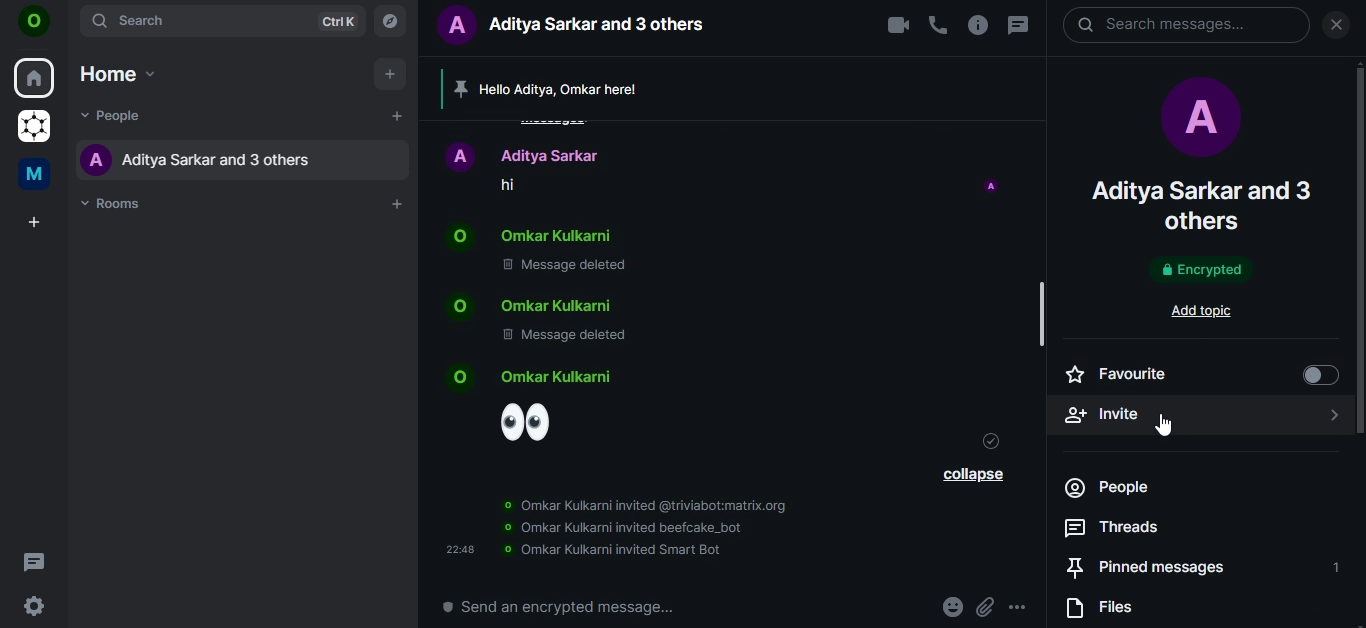  Describe the element at coordinates (1202, 205) in the screenshot. I see `aditya sarkar and 3 others` at that location.